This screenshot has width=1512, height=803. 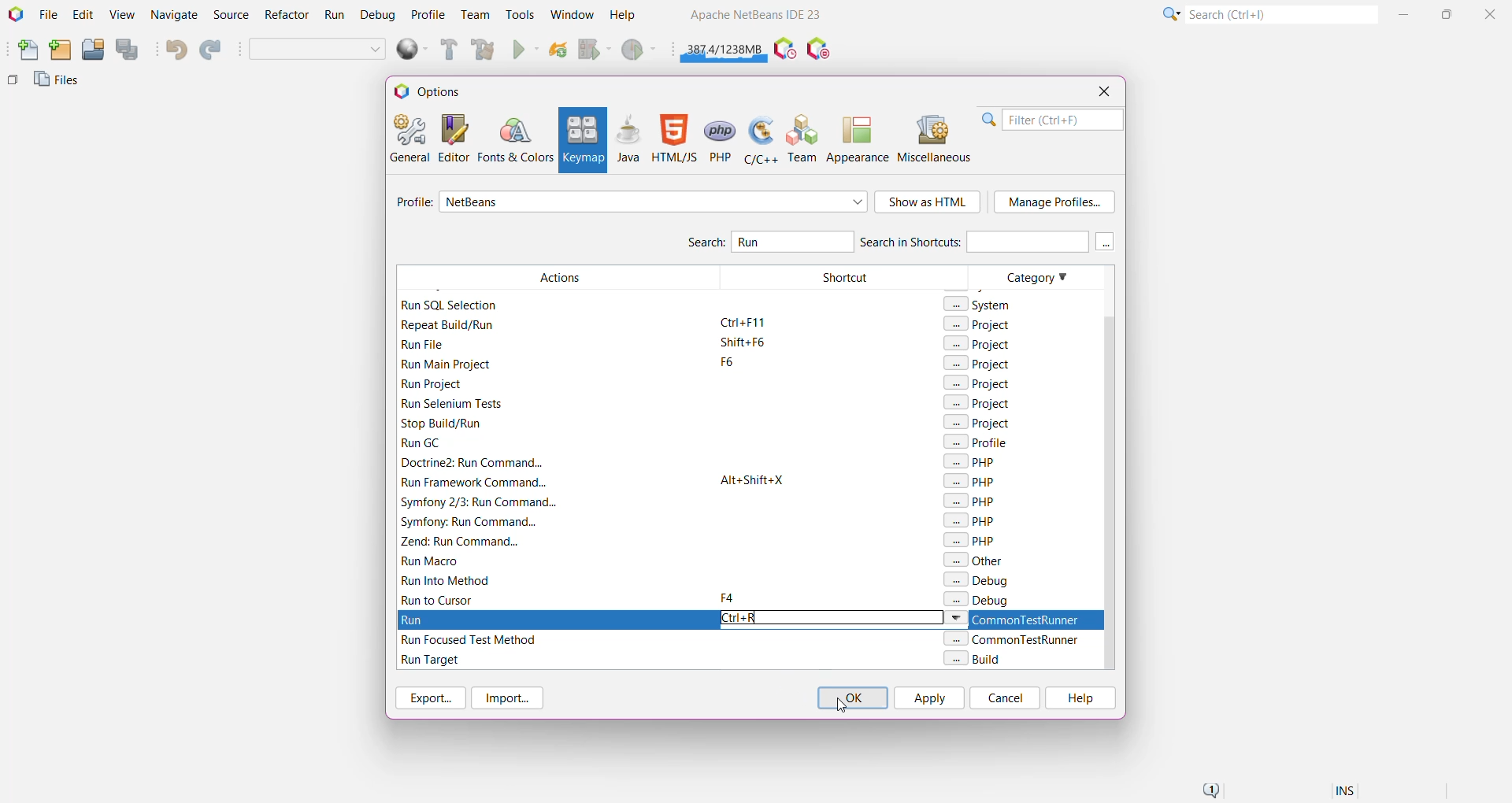 What do you see at coordinates (832, 619) in the screenshot?
I see `Type the required keyboard shortcut for Run action` at bounding box center [832, 619].